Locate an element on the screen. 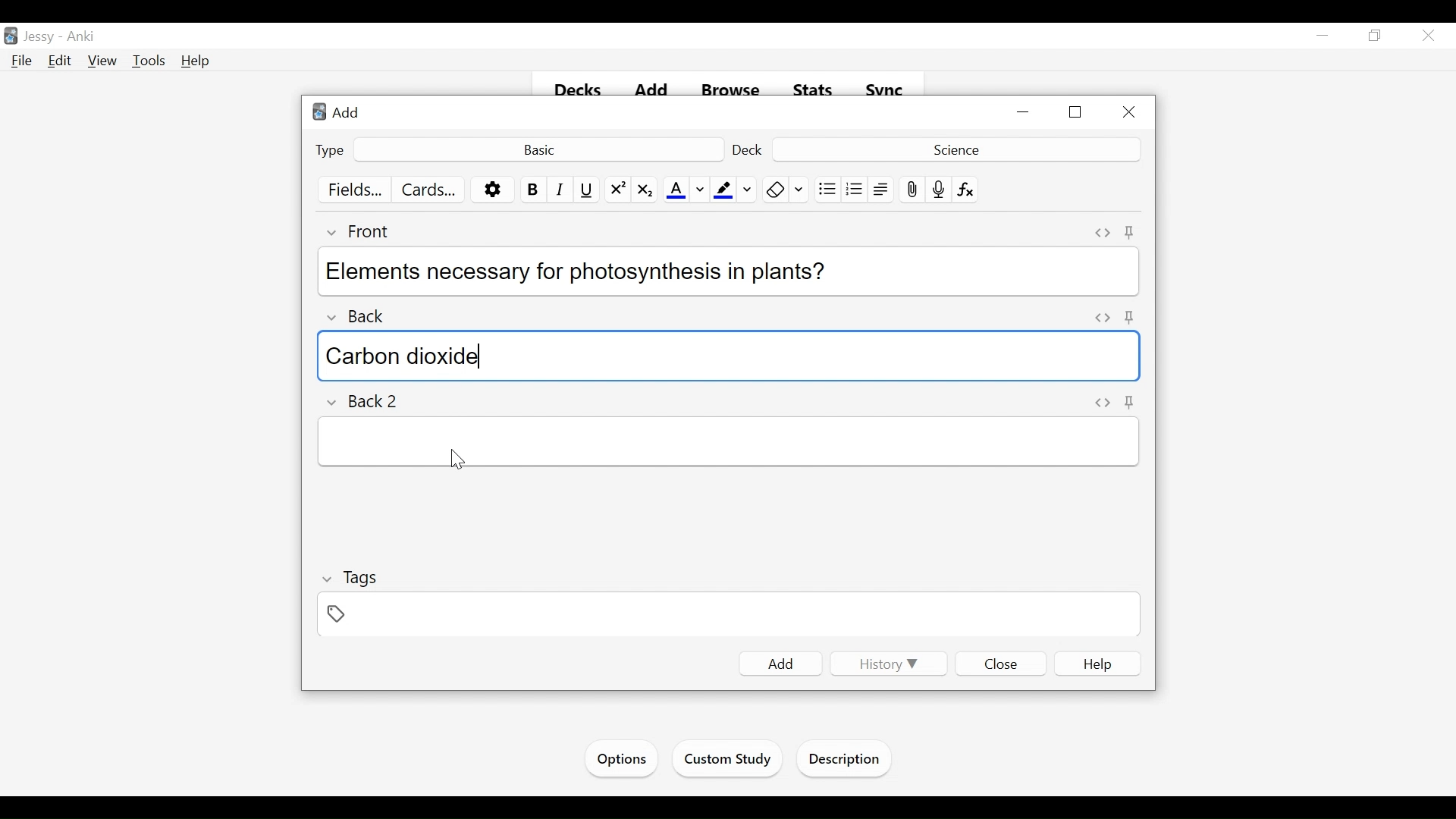  Options is located at coordinates (493, 190).